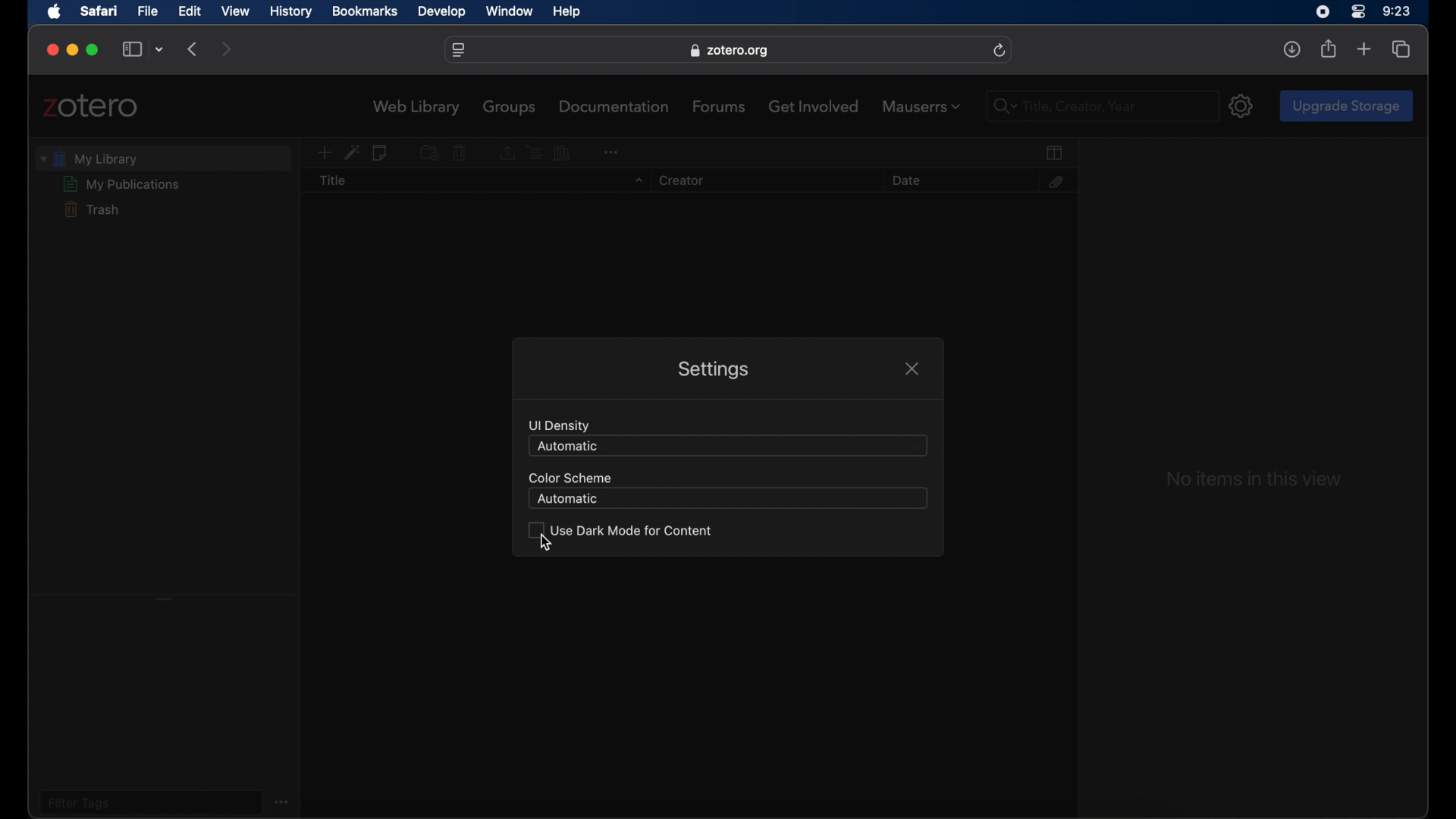 This screenshot has width=1456, height=819. Describe the element at coordinates (90, 209) in the screenshot. I see `trash` at that location.